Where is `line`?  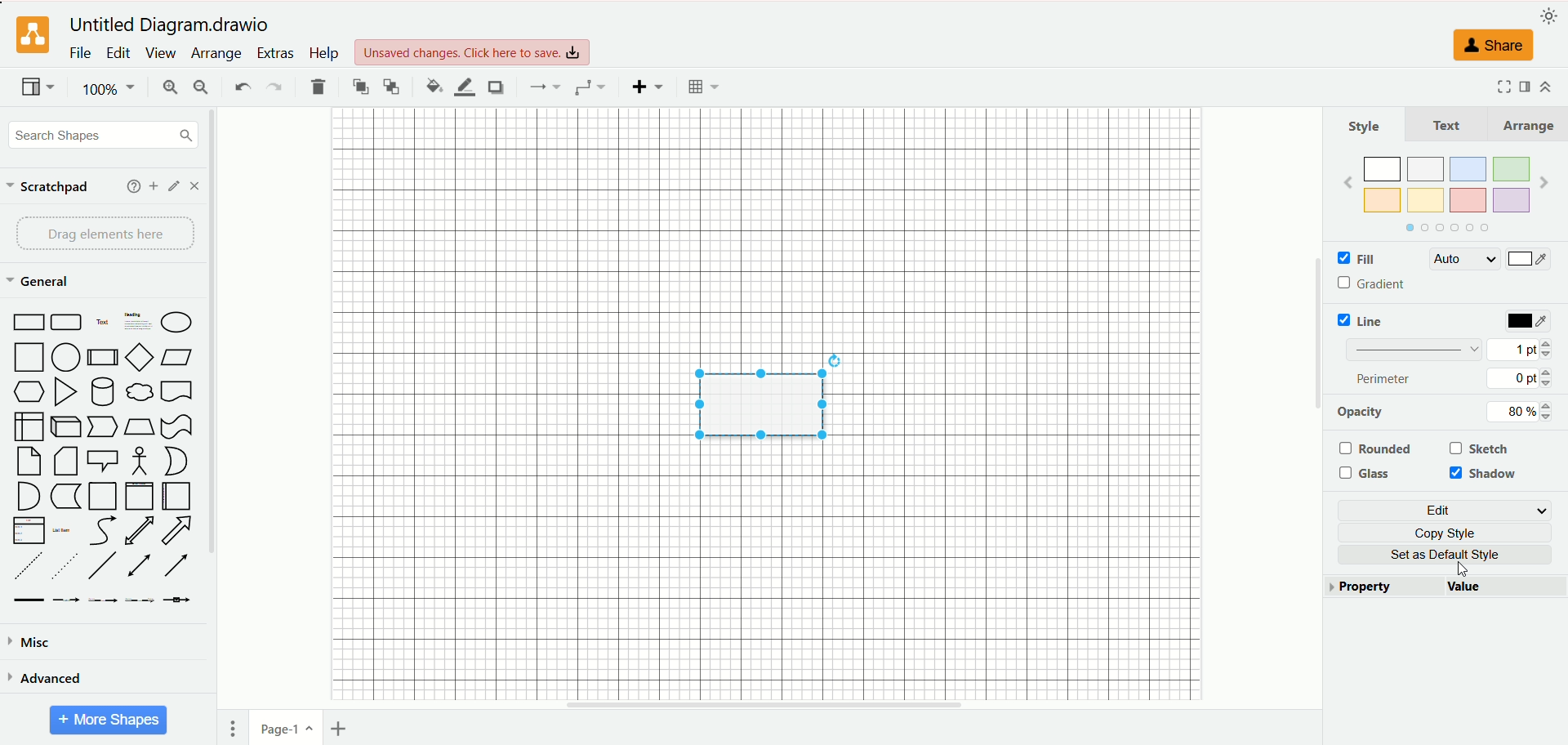 line is located at coordinates (1365, 320).